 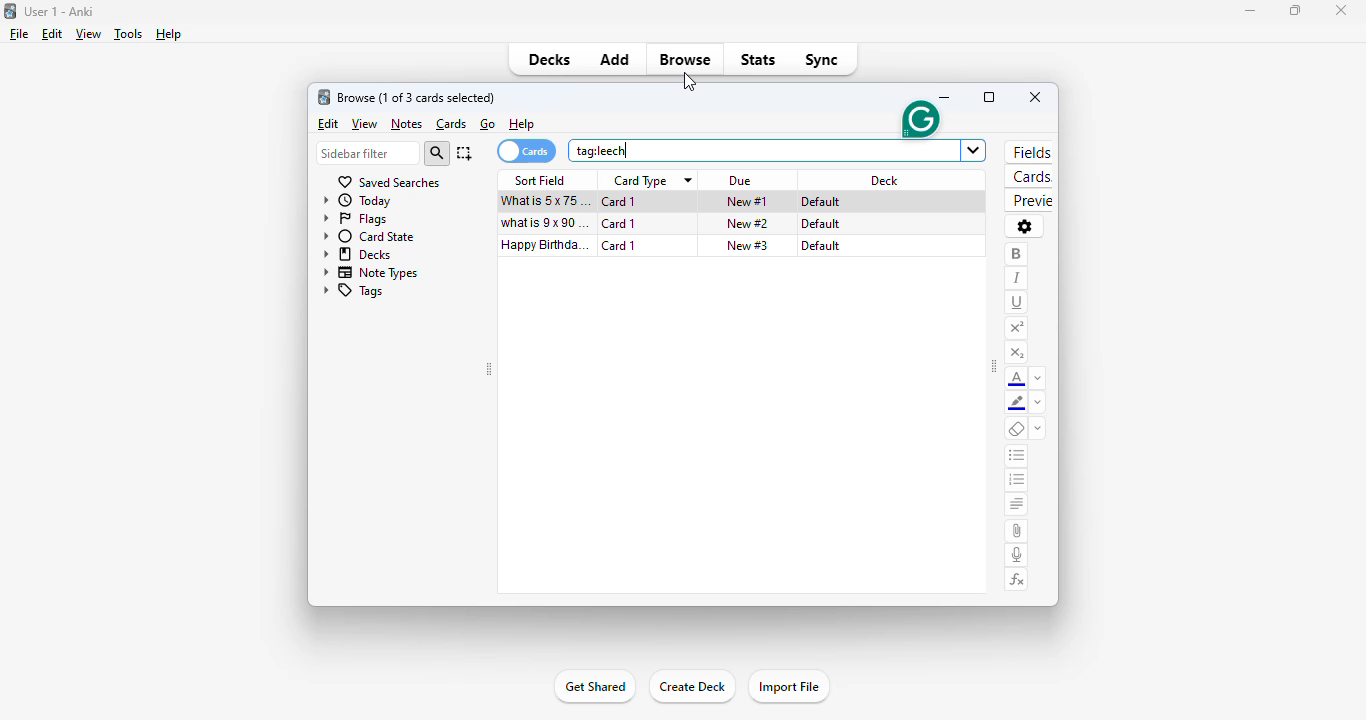 I want to click on card 1, so click(x=618, y=223).